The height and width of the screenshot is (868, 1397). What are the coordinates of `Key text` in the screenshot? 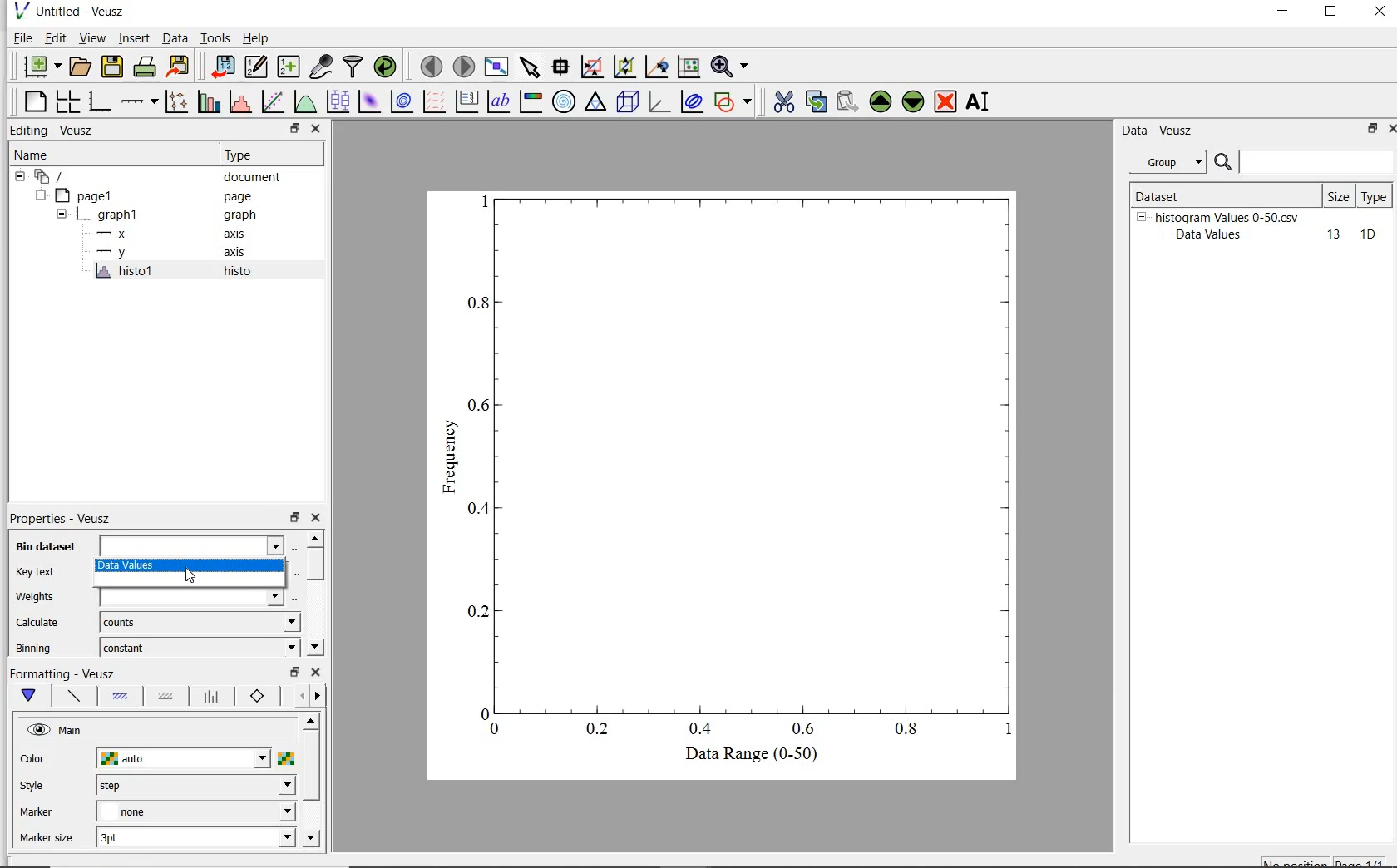 It's located at (35, 572).